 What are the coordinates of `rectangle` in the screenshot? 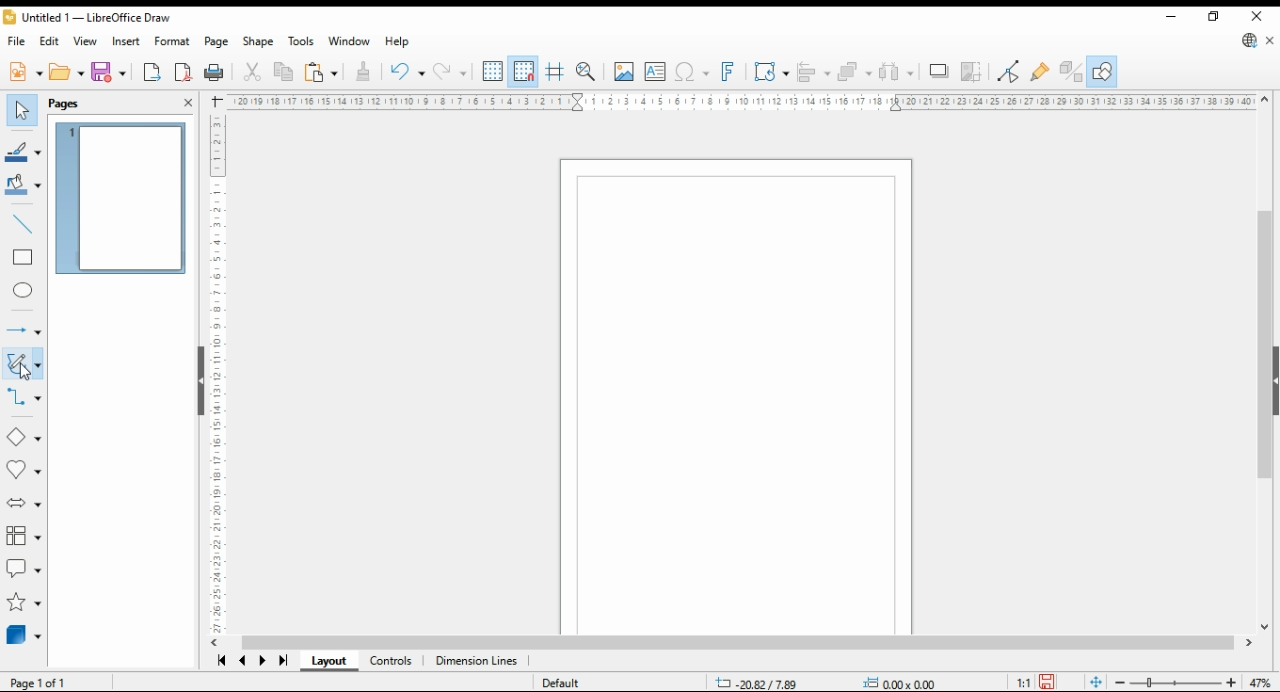 It's located at (23, 259).